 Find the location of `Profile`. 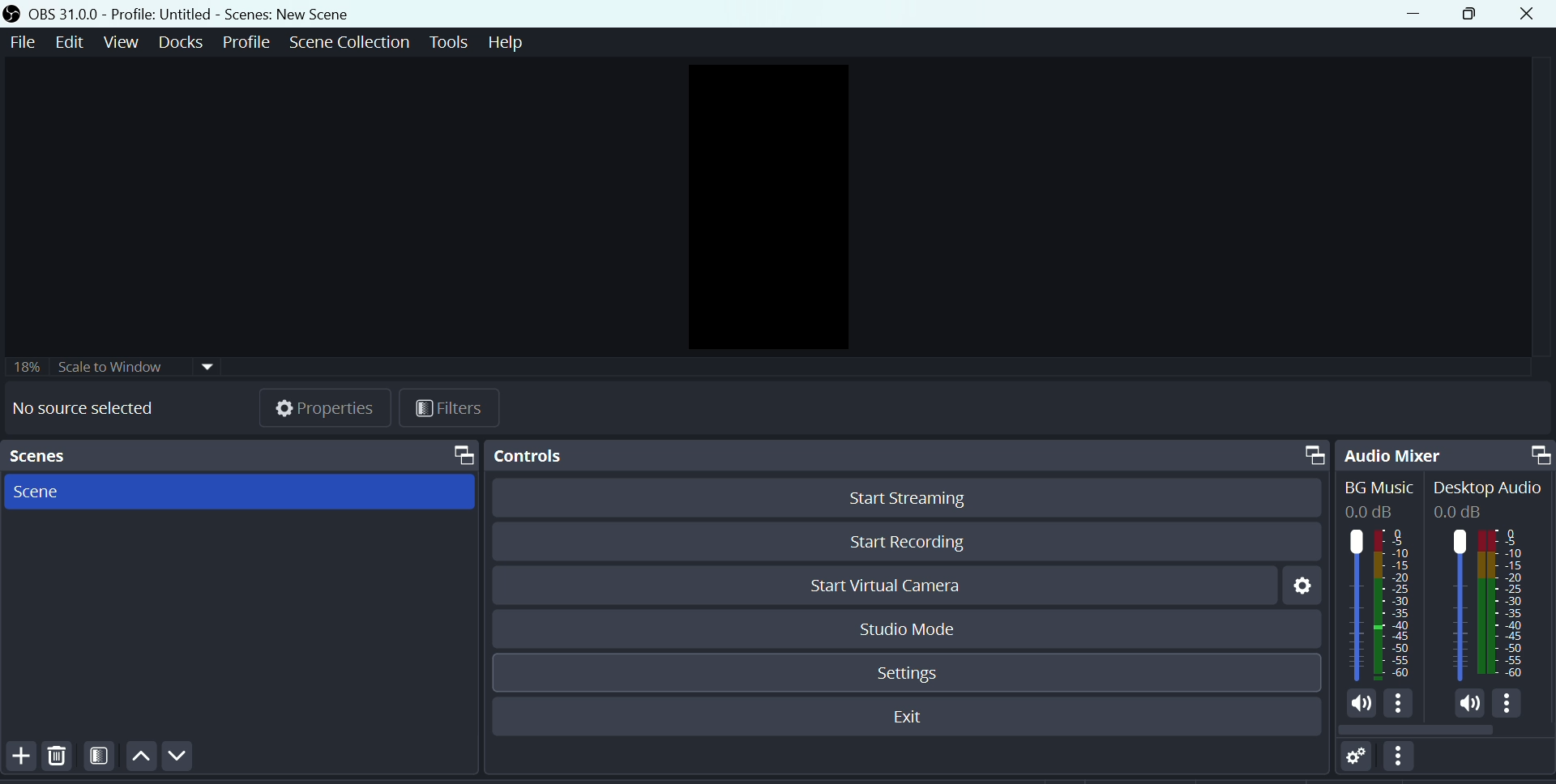

Profile is located at coordinates (244, 45).